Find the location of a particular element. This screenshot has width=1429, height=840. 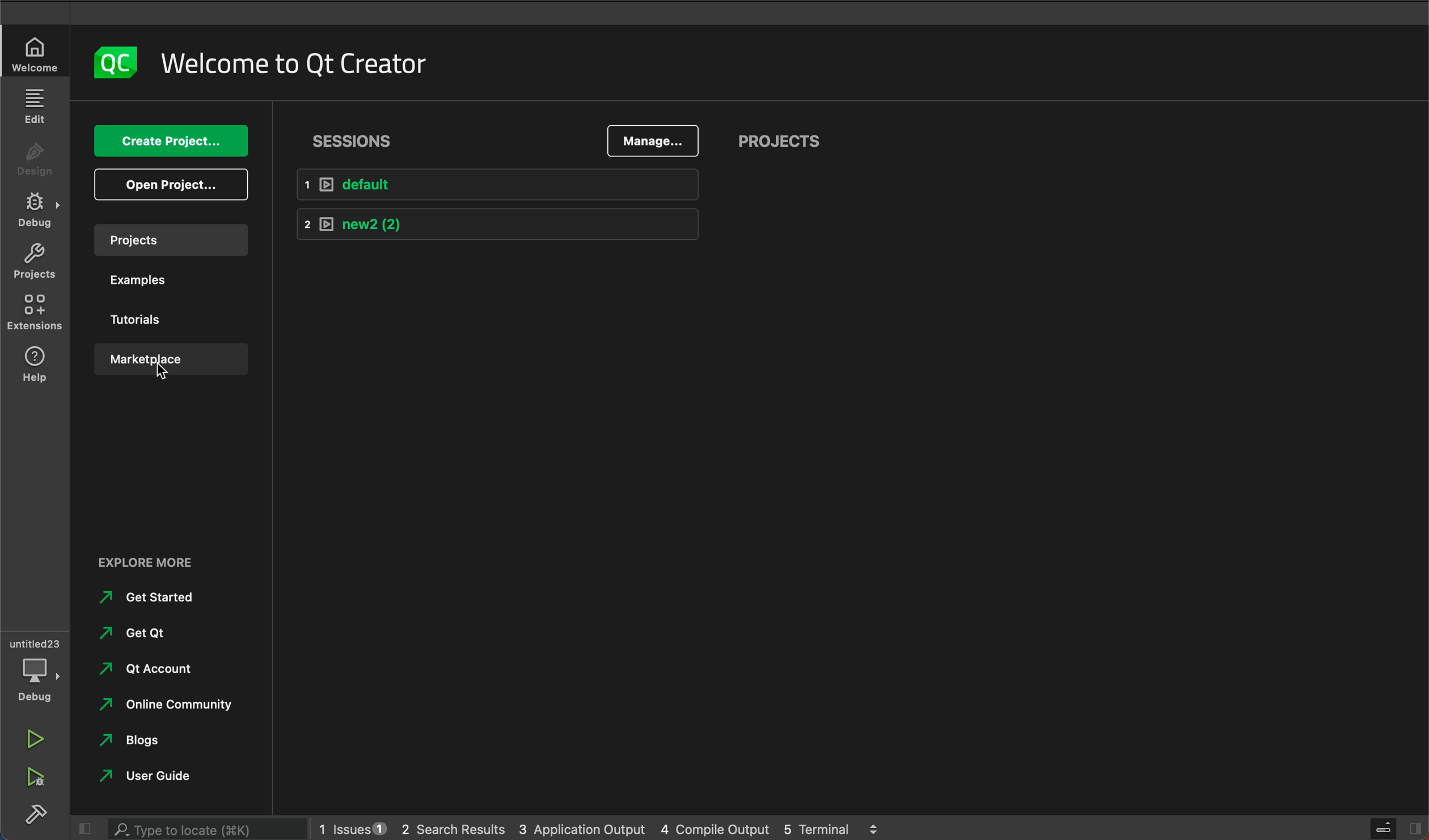

 is located at coordinates (152, 562).